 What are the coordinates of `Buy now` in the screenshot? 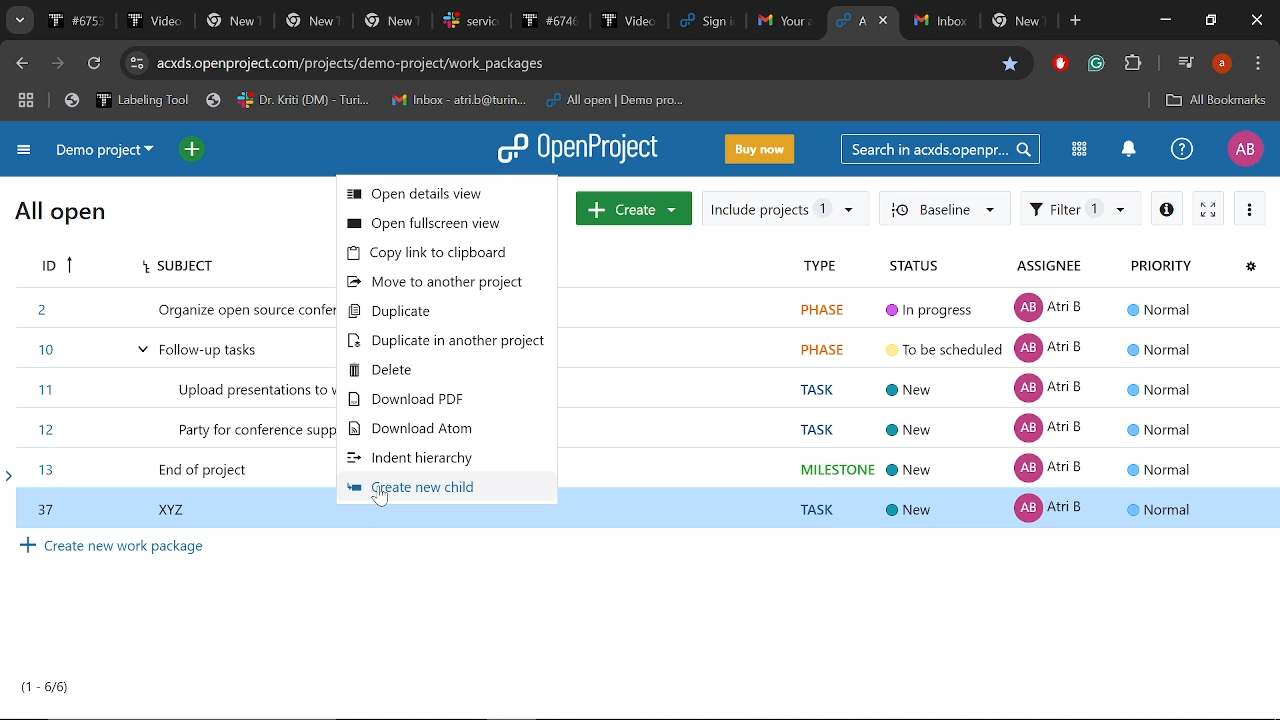 It's located at (760, 148).